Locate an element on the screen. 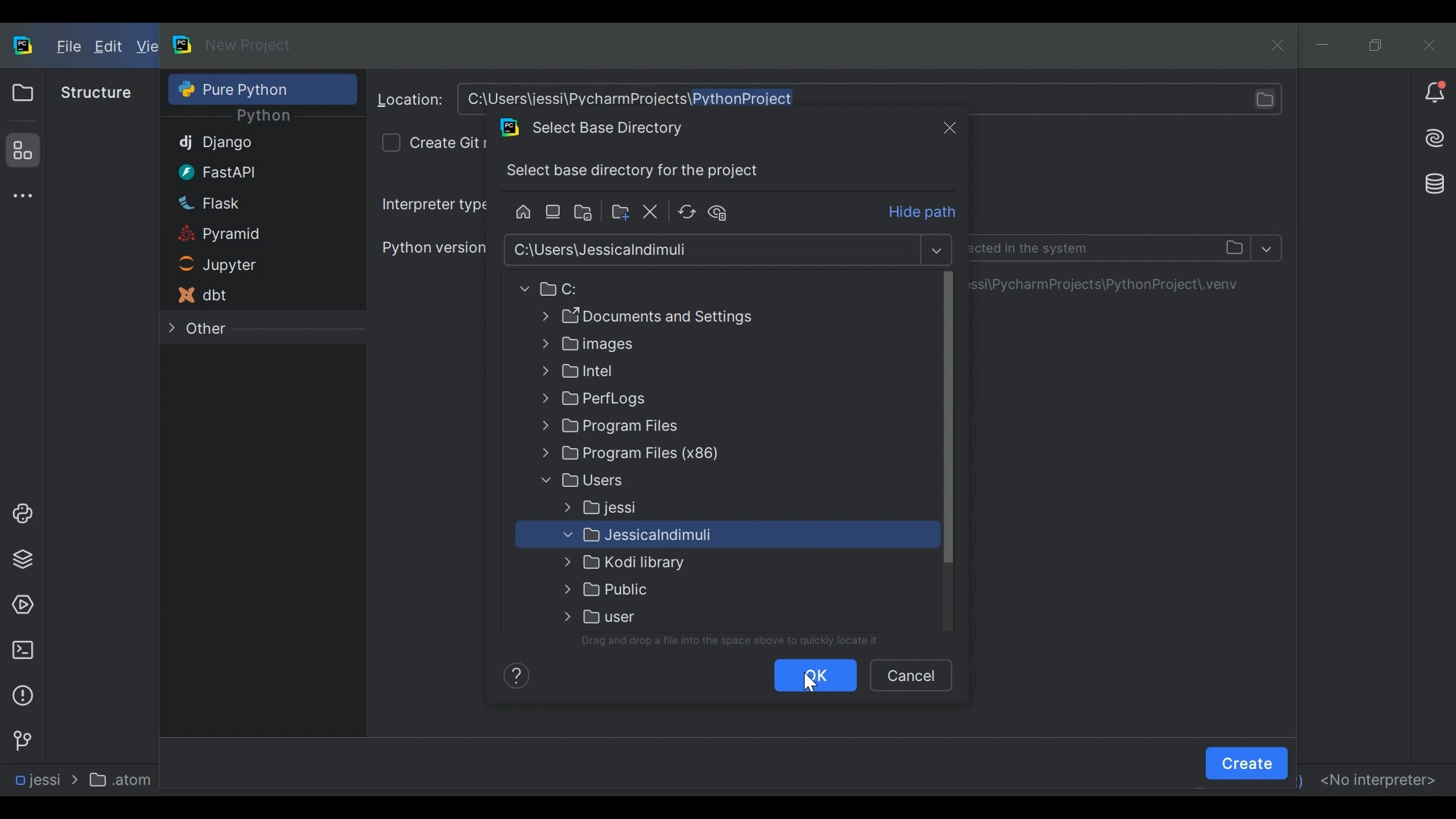 Image resolution: width=1456 pixels, height=819 pixels. Version Control is located at coordinates (21, 739).